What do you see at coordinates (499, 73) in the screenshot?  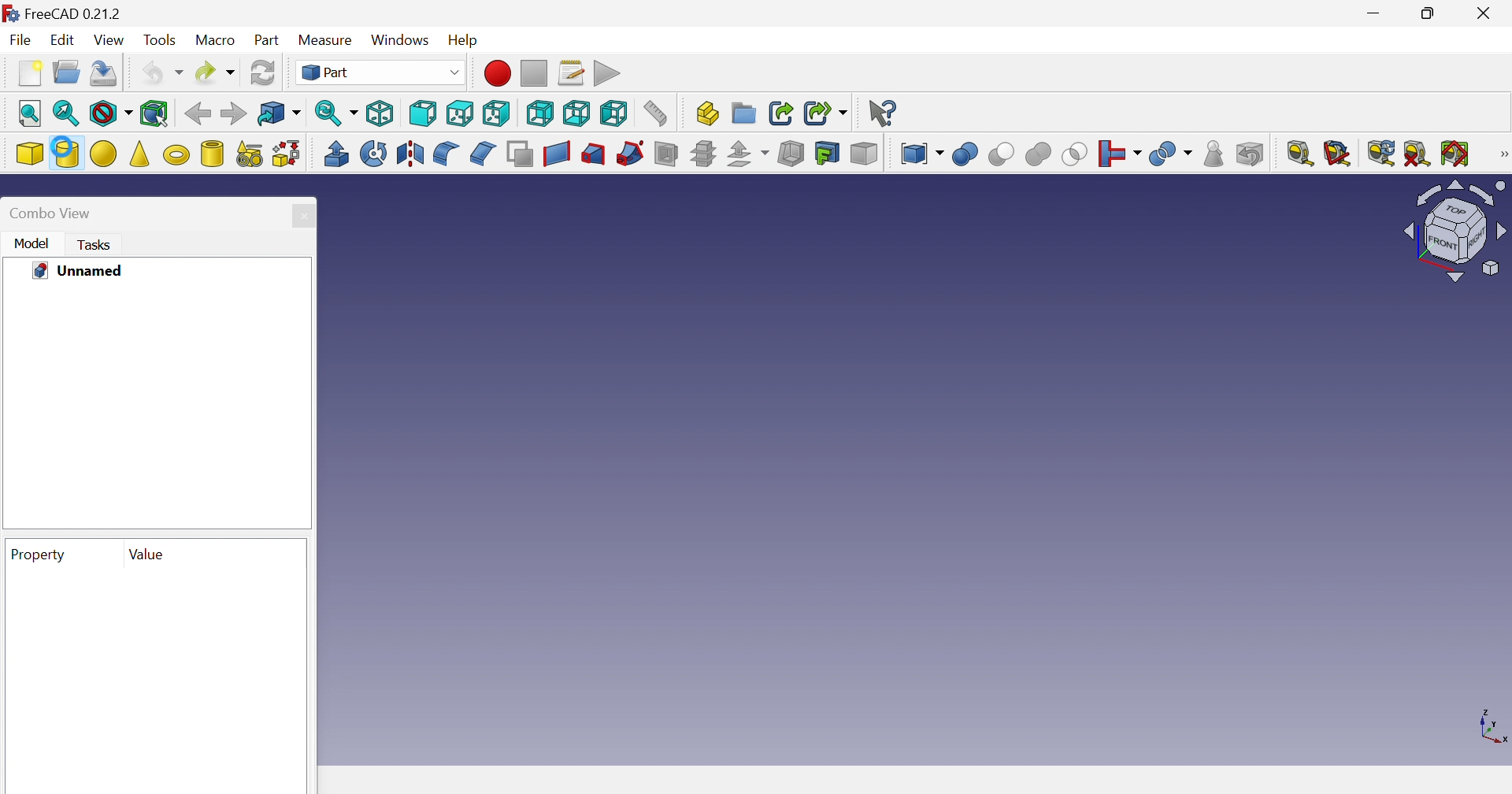 I see `Macro recording` at bounding box center [499, 73].